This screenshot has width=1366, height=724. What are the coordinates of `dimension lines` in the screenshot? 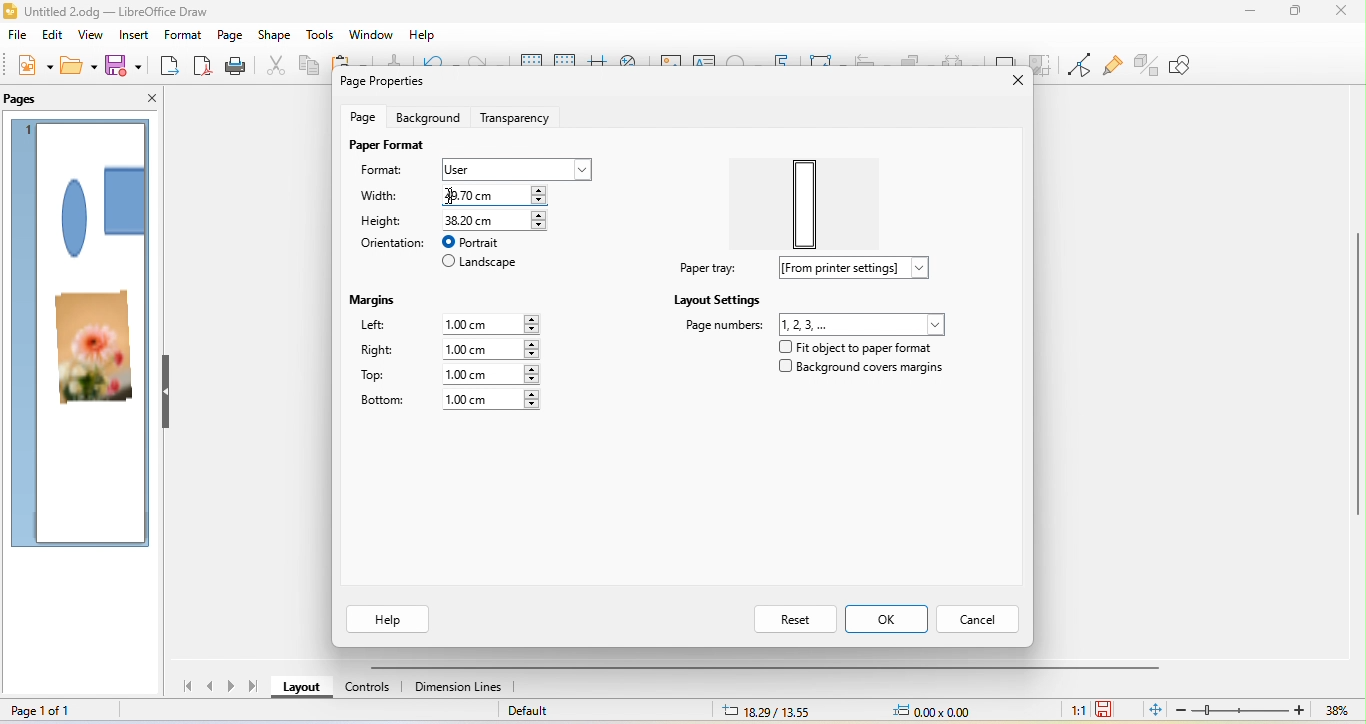 It's located at (460, 689).